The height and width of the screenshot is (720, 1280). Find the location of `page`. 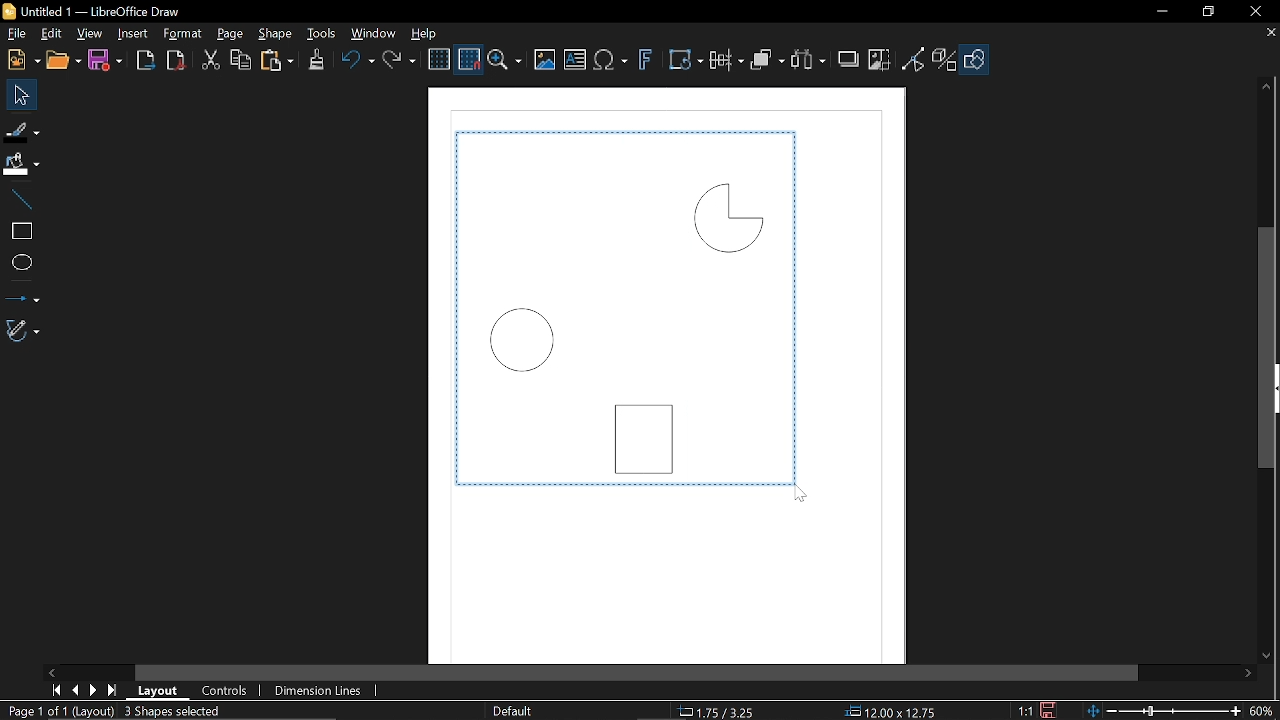

page is located at coordinates (234, 35).